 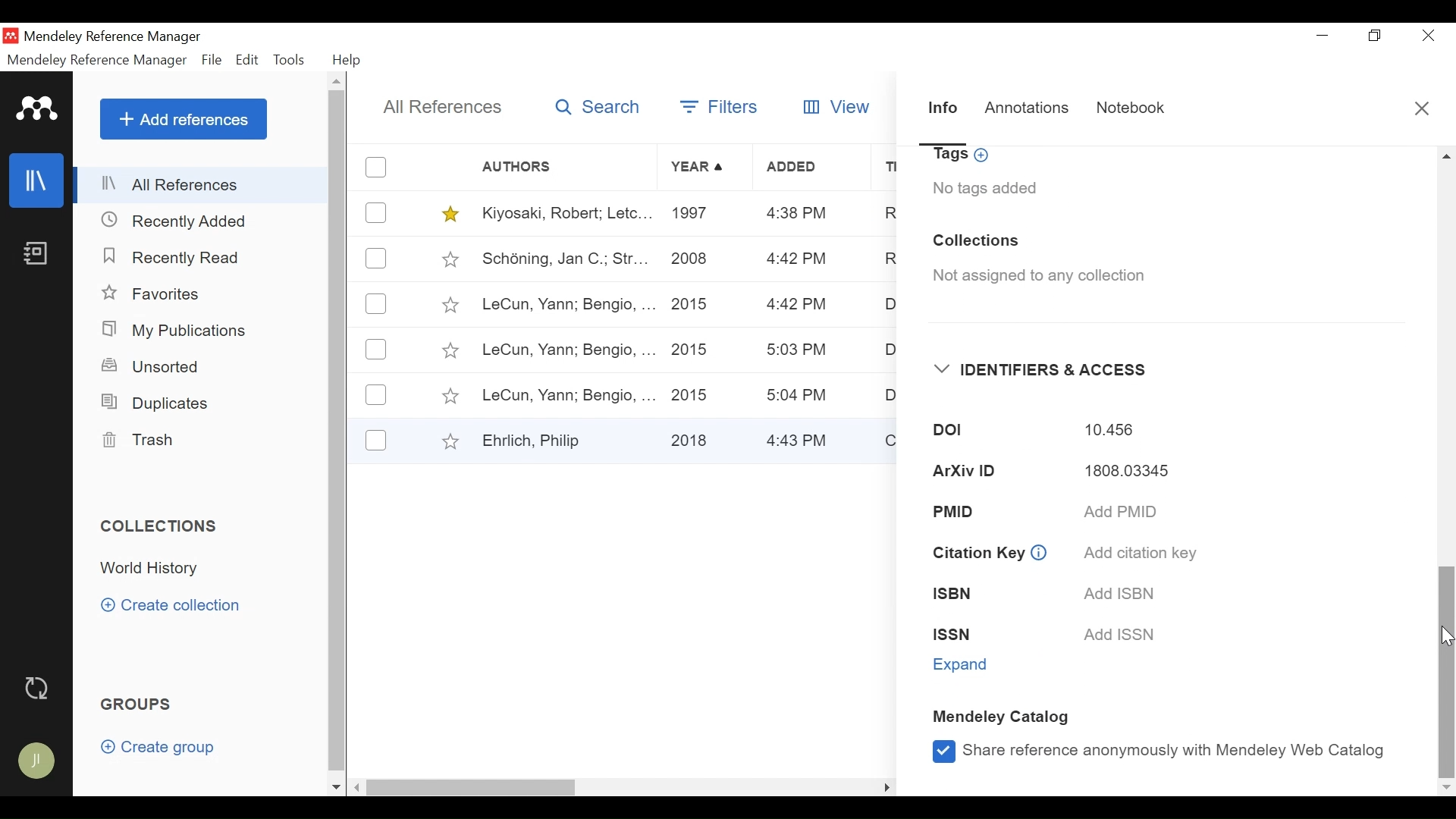 What do you see at coordinates (937, 431) in the screenshot?
I see `DOI` at bounding box center [937, 431].